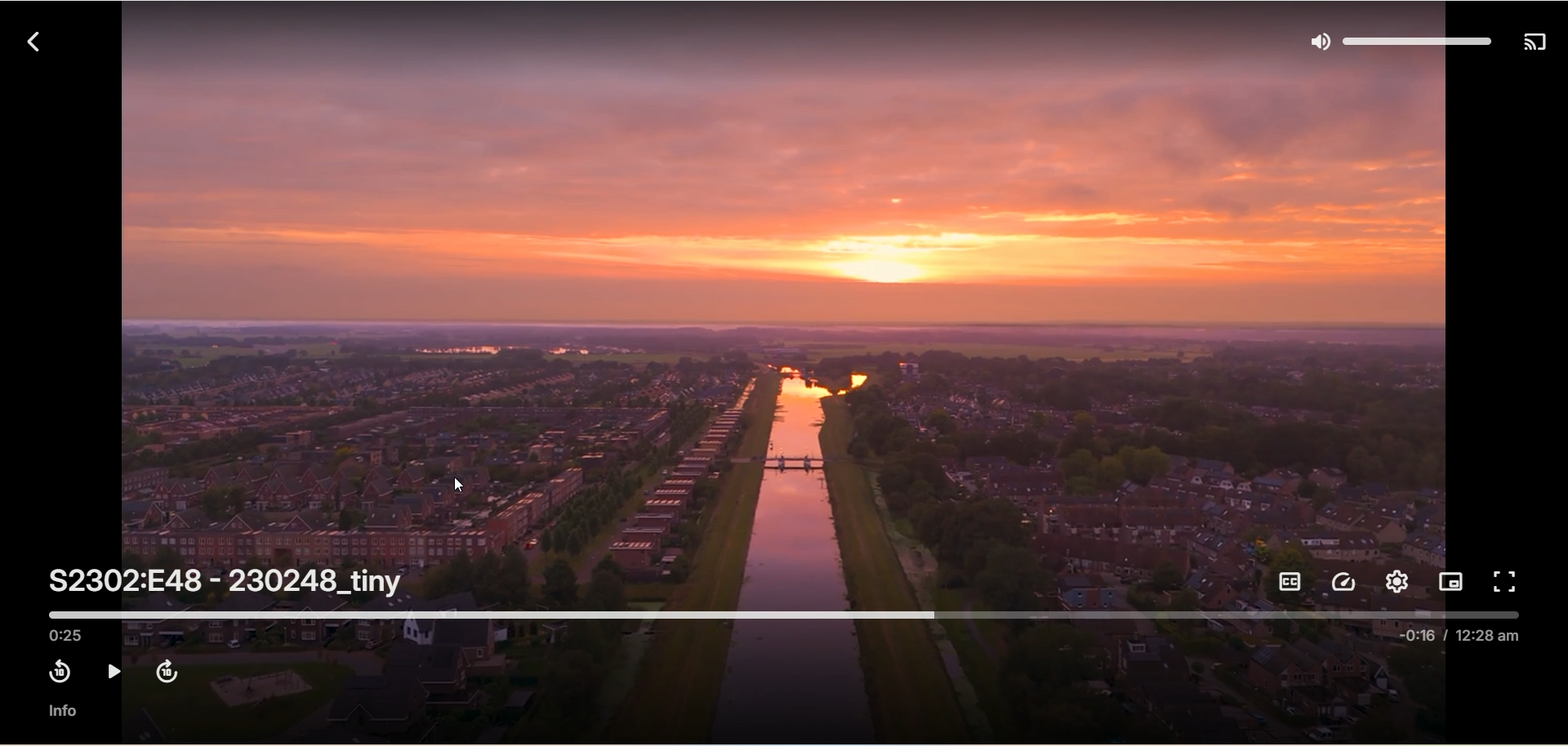 The image size is (1568, 746). What do you see at coordinates (55, 672) in the screenshot?
I see `rewind` at bounding box center [55, 672].